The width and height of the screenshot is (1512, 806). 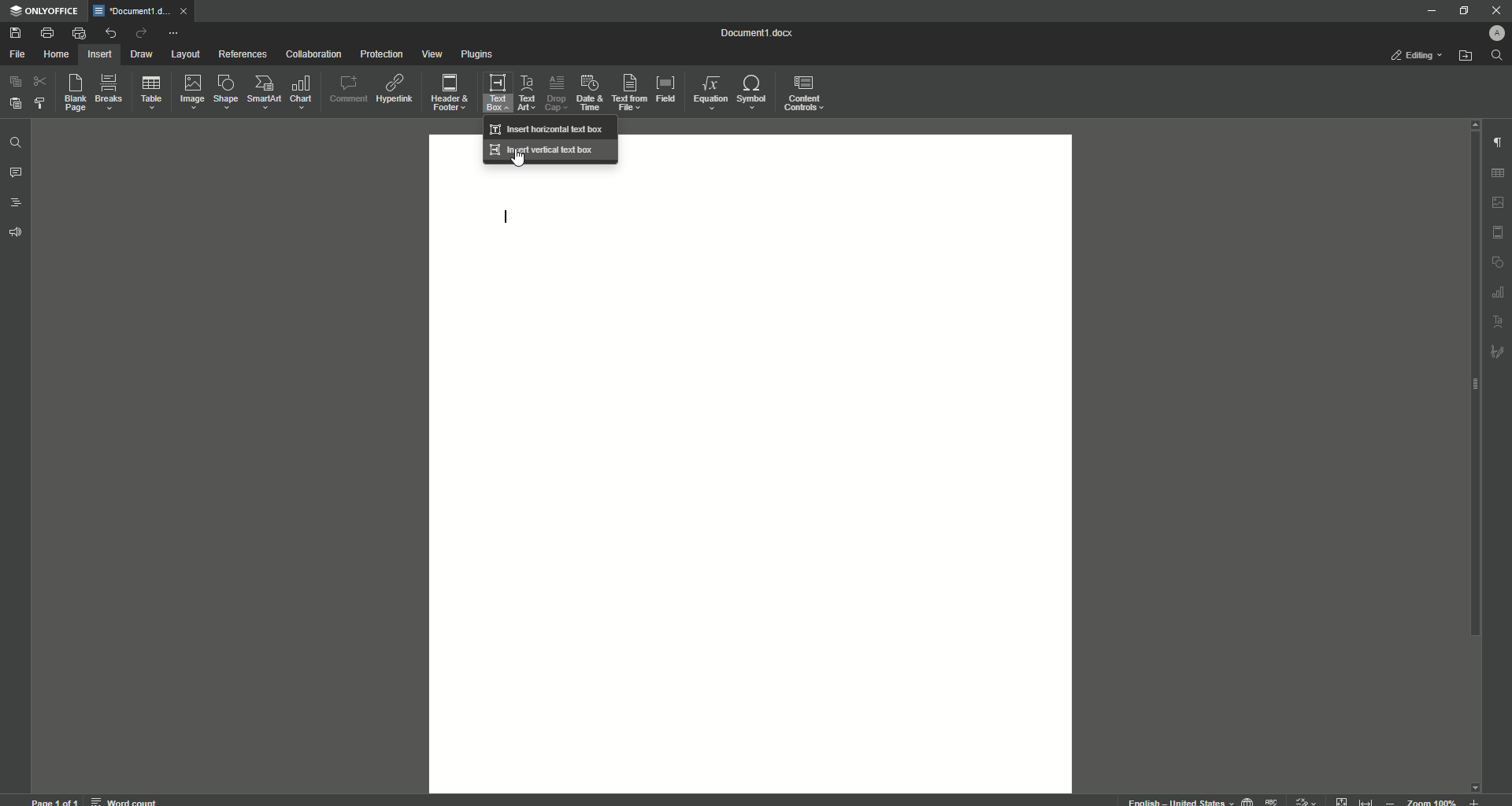 I want to click on set document language, so click(x=1247, y=800).